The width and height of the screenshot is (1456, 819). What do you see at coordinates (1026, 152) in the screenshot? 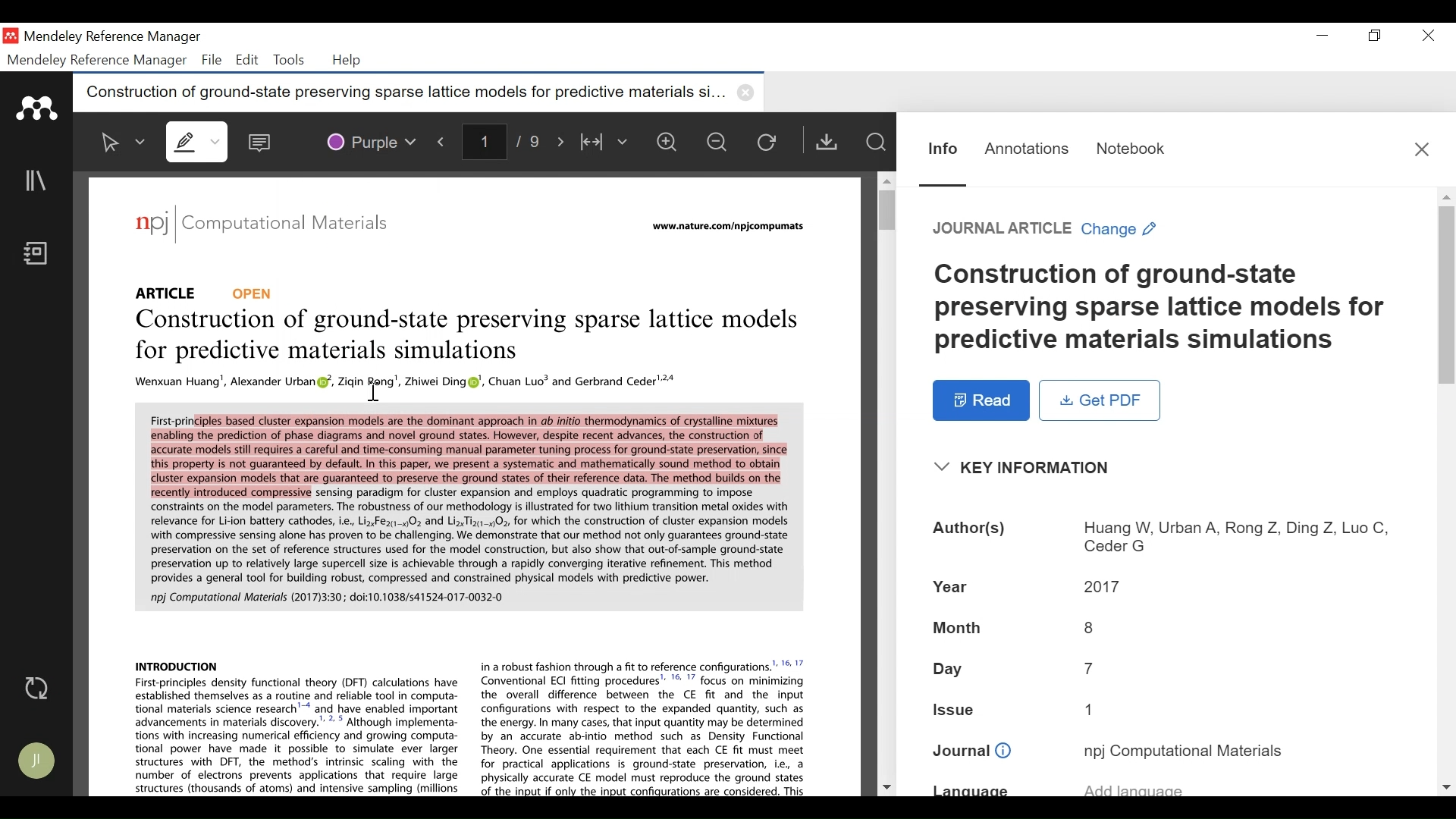
I see `Annotations` at bounding box center [1026, 152].